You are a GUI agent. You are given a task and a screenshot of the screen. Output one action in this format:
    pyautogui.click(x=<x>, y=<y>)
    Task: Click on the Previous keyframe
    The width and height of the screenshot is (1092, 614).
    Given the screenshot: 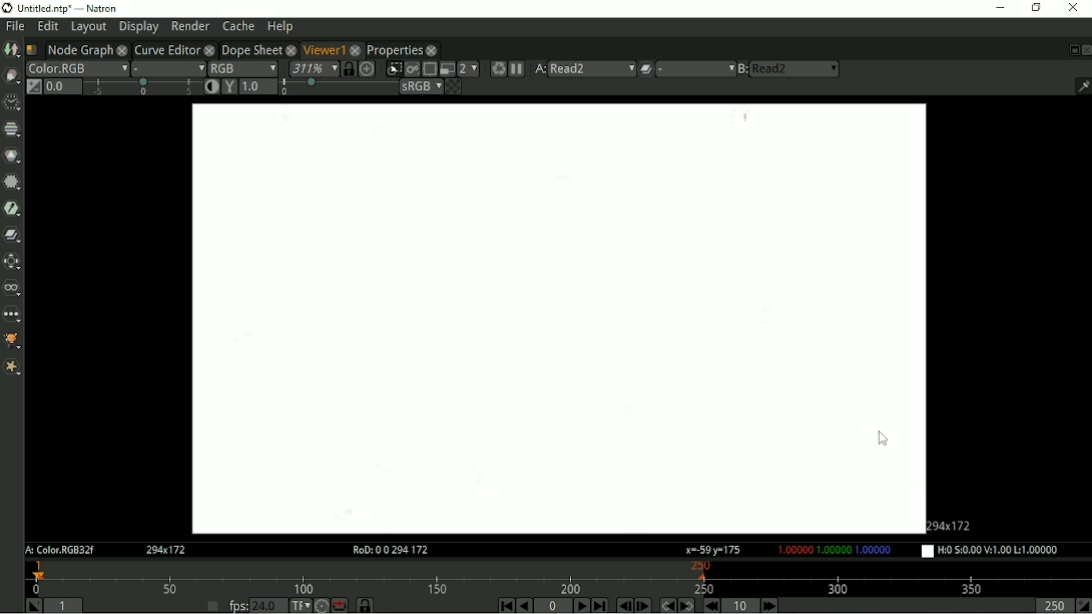 What is the action you would take?
    pyautogui.click(x=666, y=605)
    